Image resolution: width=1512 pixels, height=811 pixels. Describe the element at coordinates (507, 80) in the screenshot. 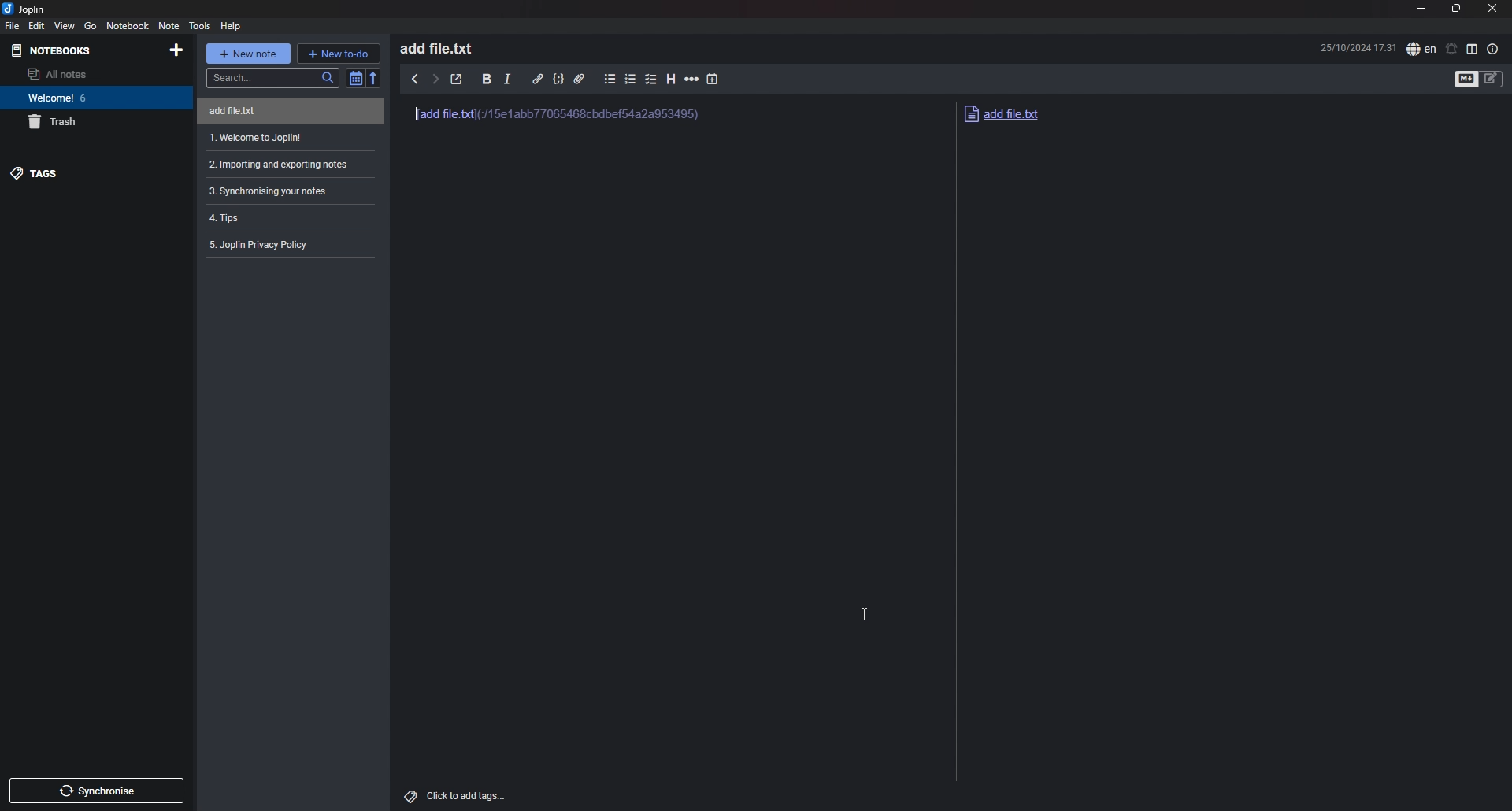

I see `italic` at that location.